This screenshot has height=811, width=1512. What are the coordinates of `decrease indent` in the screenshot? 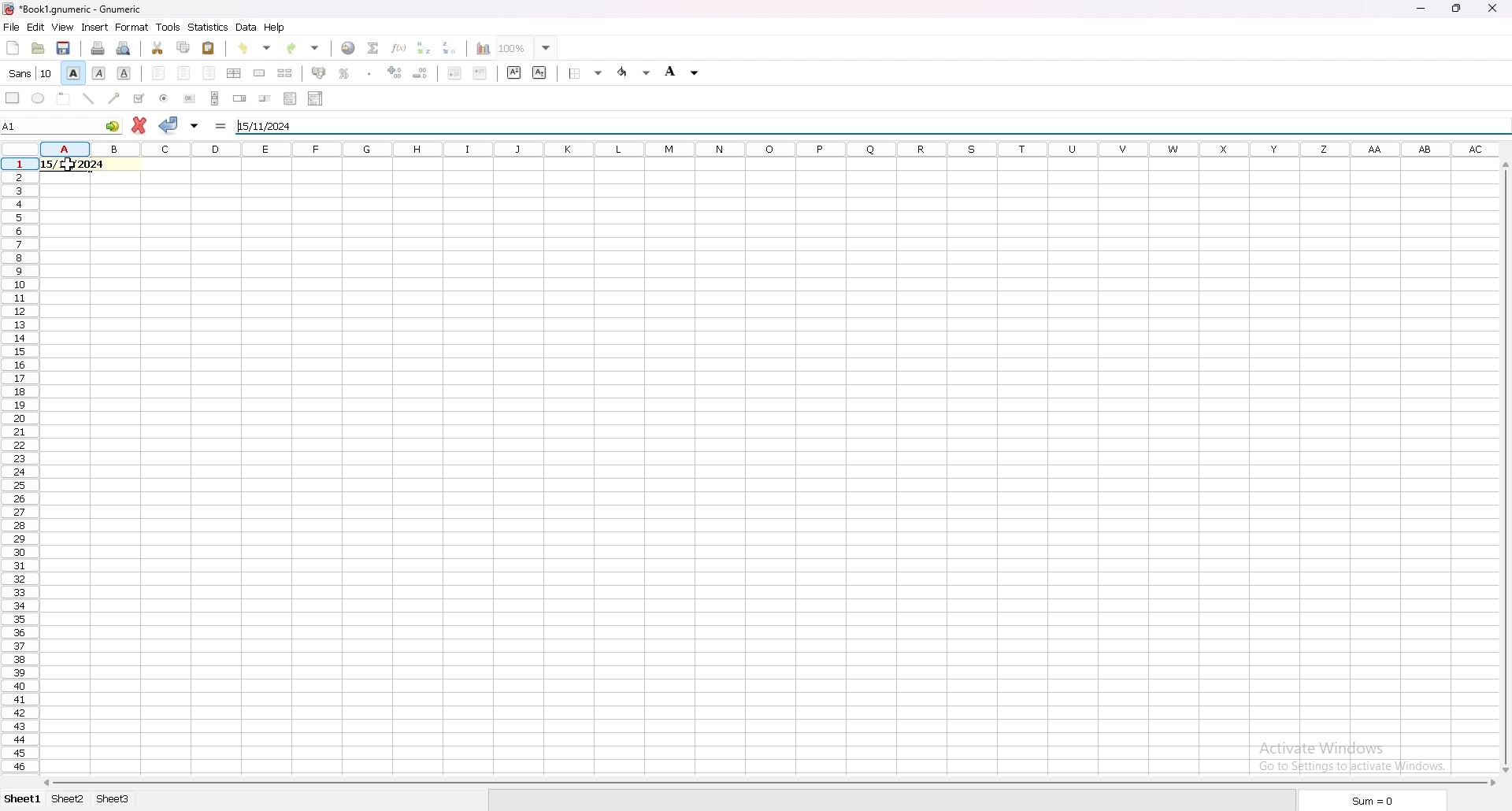 It's located at (455, 72).